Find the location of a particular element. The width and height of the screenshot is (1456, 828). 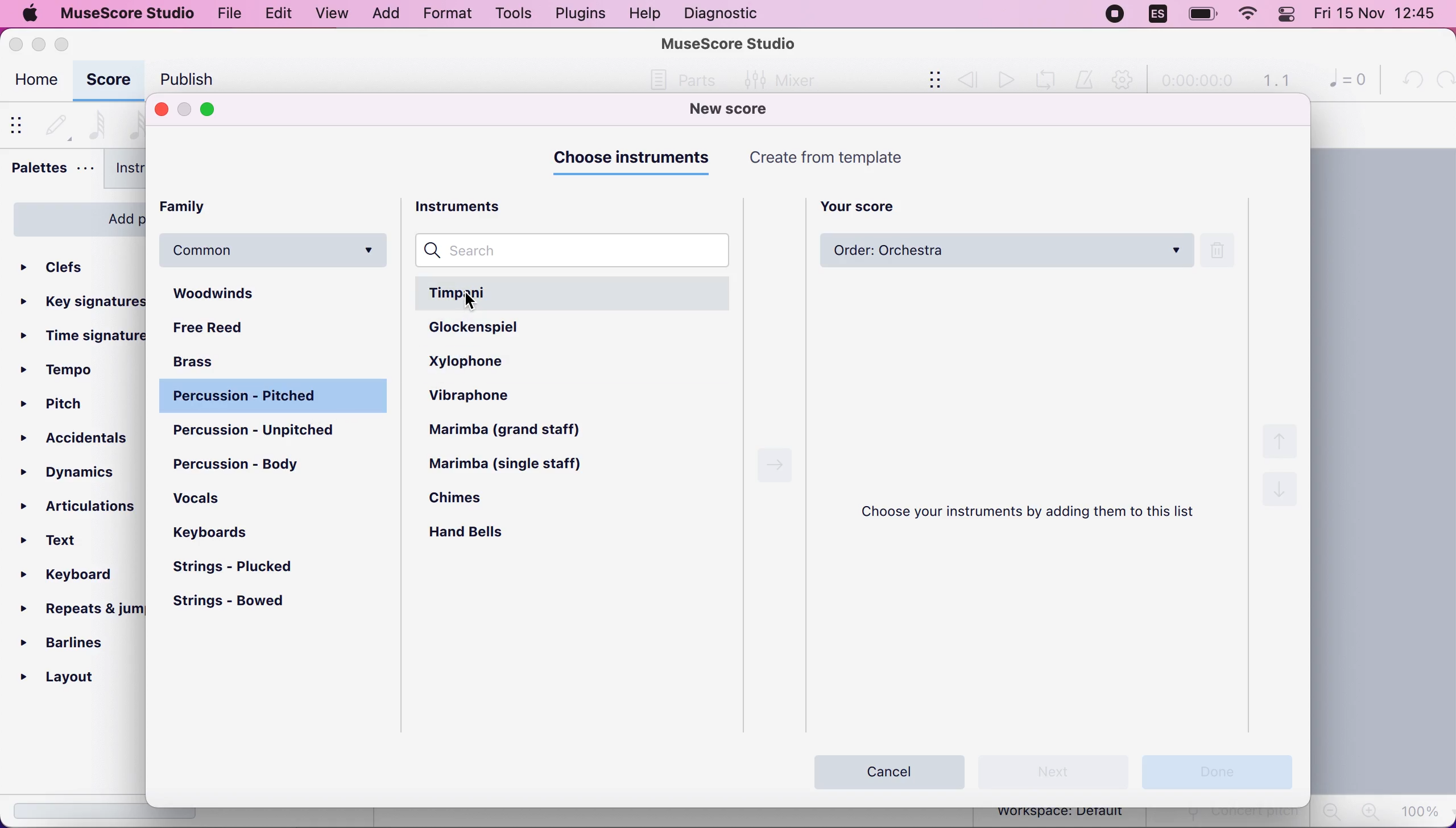

score is located at coordinates (108, 81).